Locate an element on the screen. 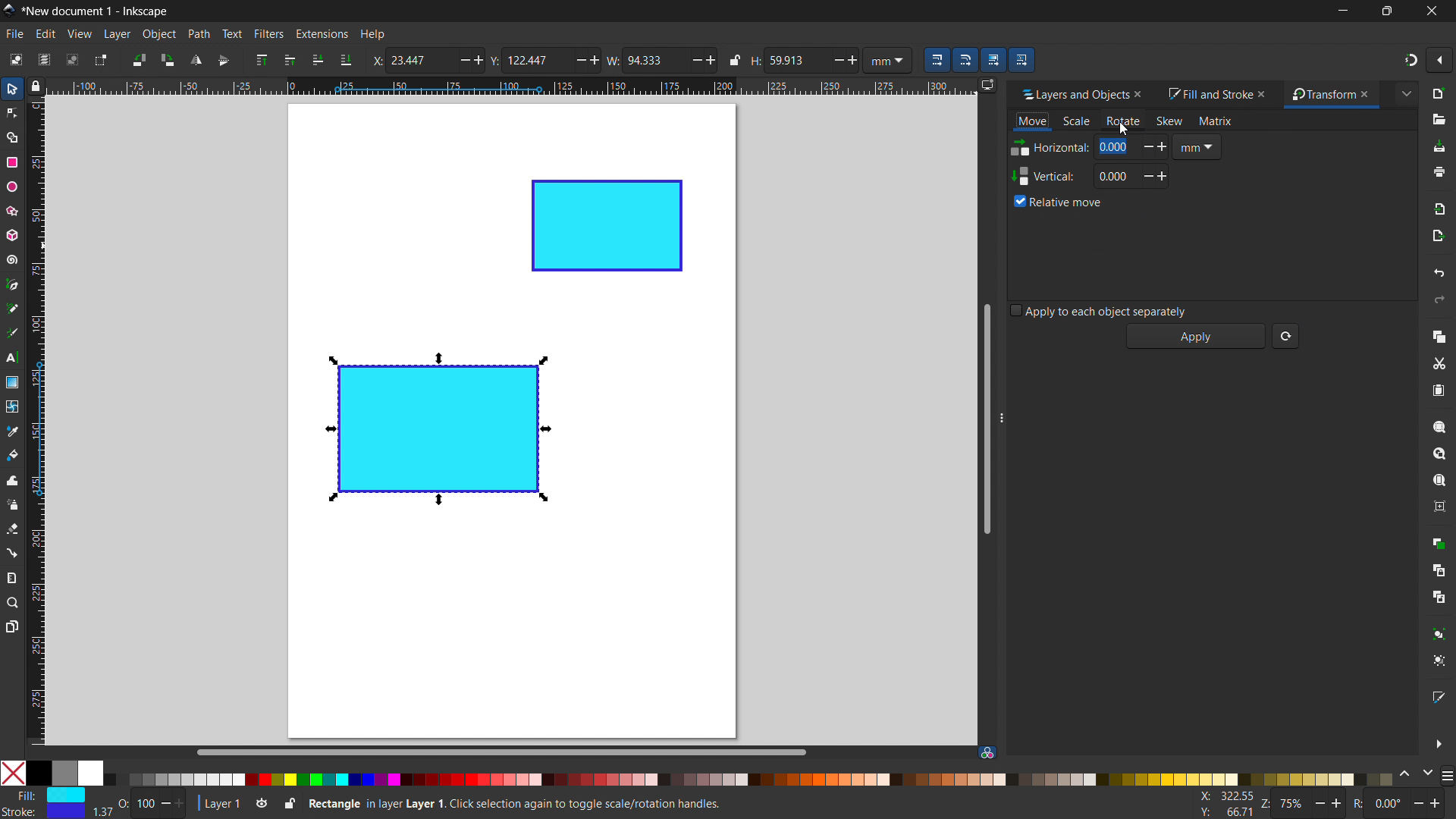 Image resolution: width=1456 pixels, height=819 pixels. when  locked change height and width proportionally  is located at coordinates (735, 60).